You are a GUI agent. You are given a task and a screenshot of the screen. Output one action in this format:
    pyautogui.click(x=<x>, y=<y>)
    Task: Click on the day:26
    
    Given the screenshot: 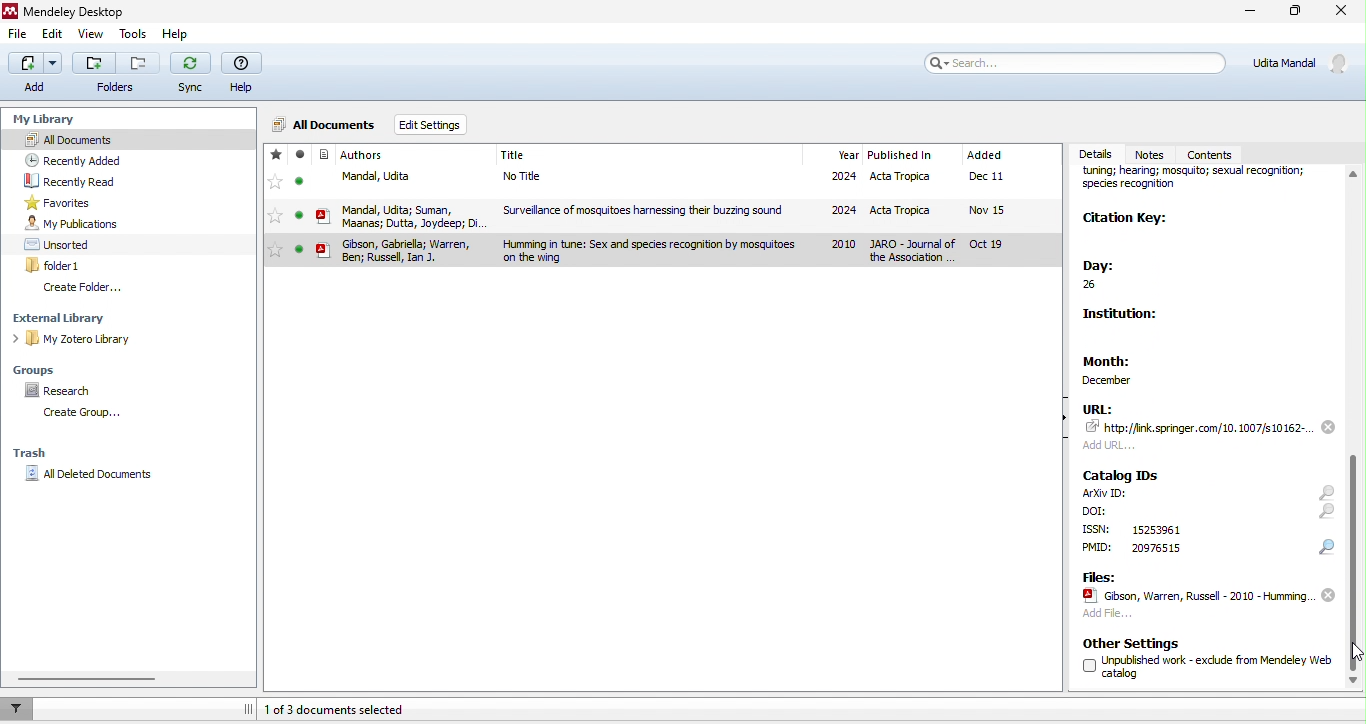 What is the action you would take?
    pyautogui.click(x=1110, y=276)
    